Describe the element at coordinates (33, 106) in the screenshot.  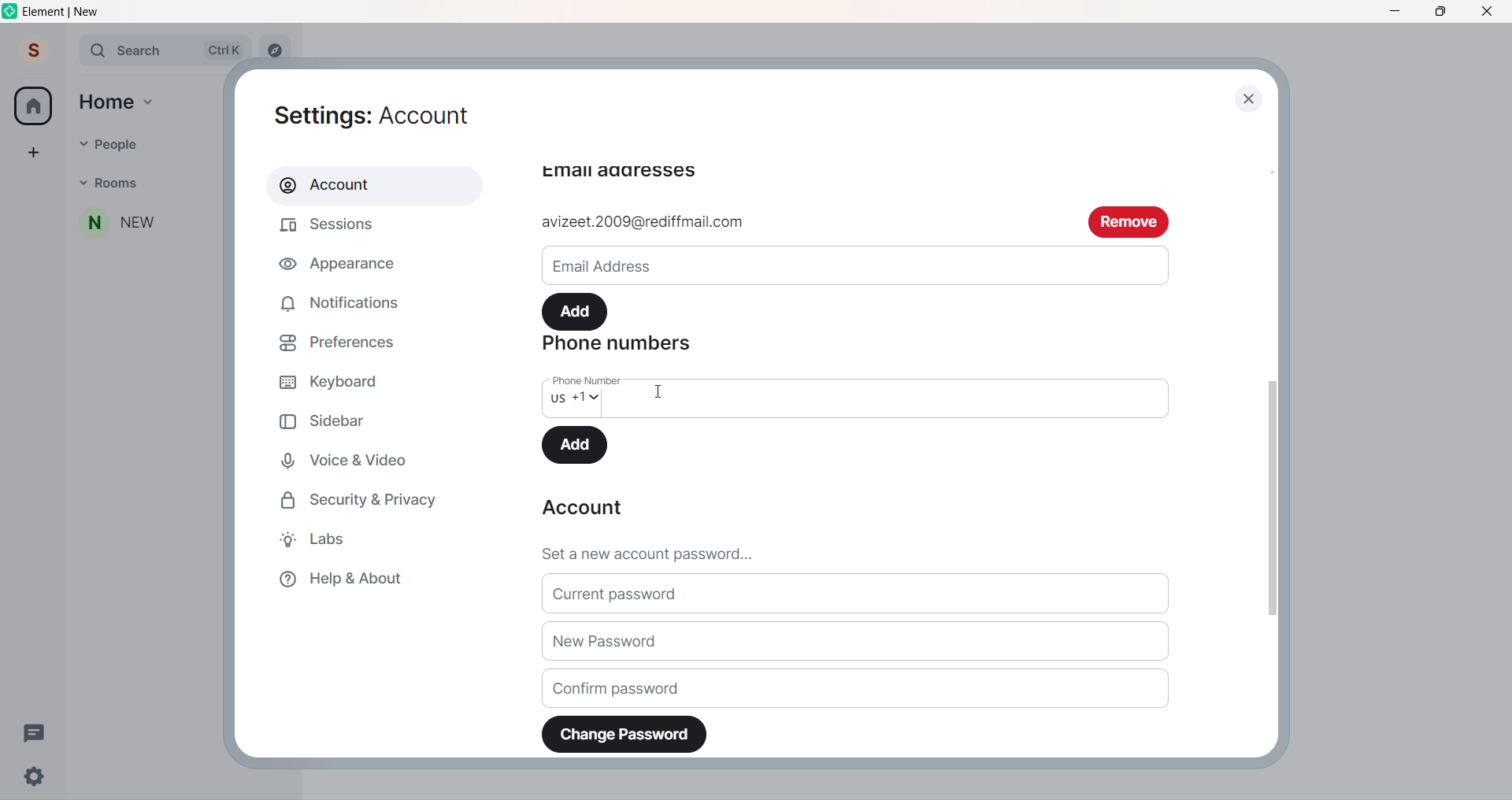
I see `Home` at that location.